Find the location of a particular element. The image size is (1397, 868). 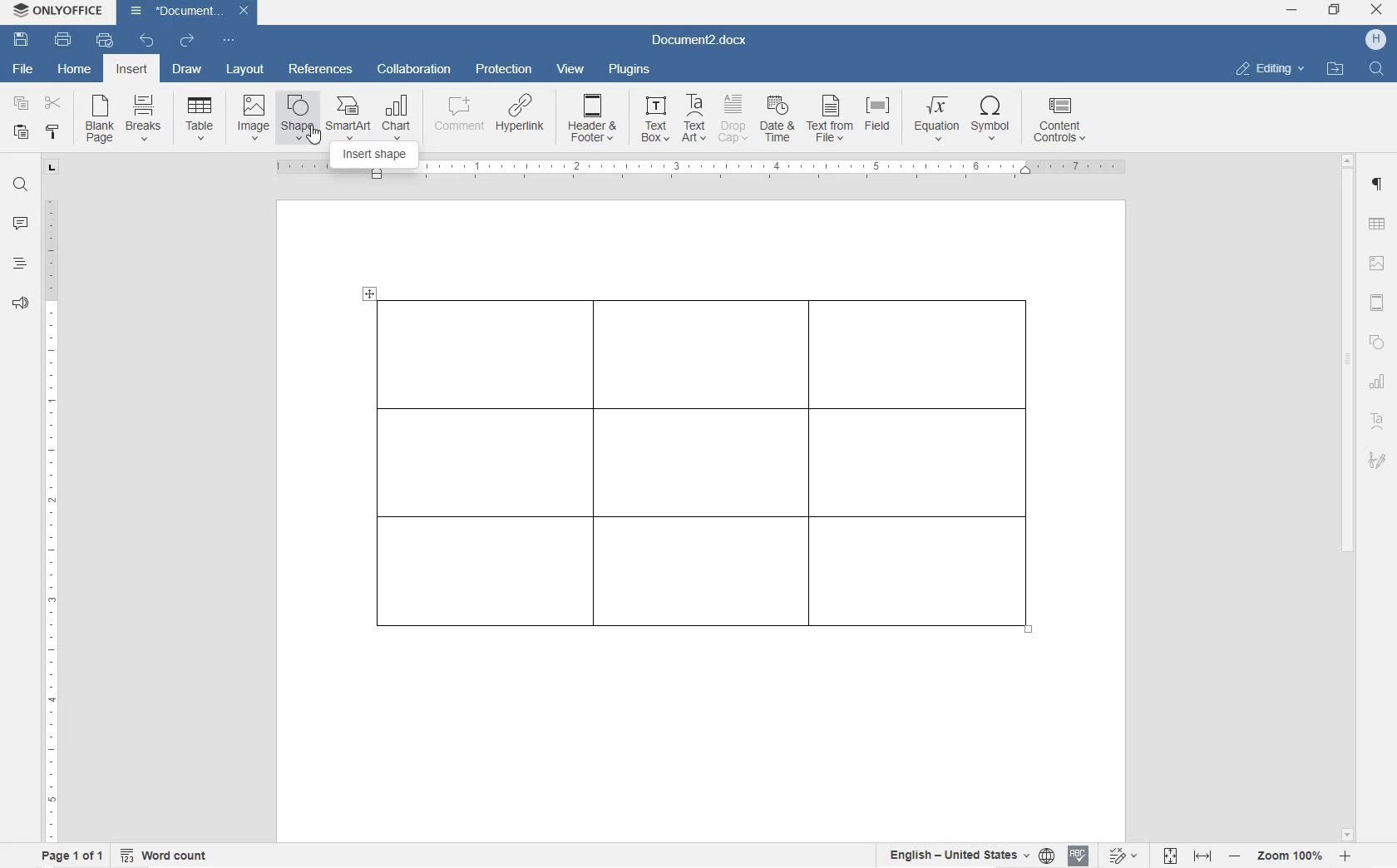

FIND is located at coordinates (1378, 68).